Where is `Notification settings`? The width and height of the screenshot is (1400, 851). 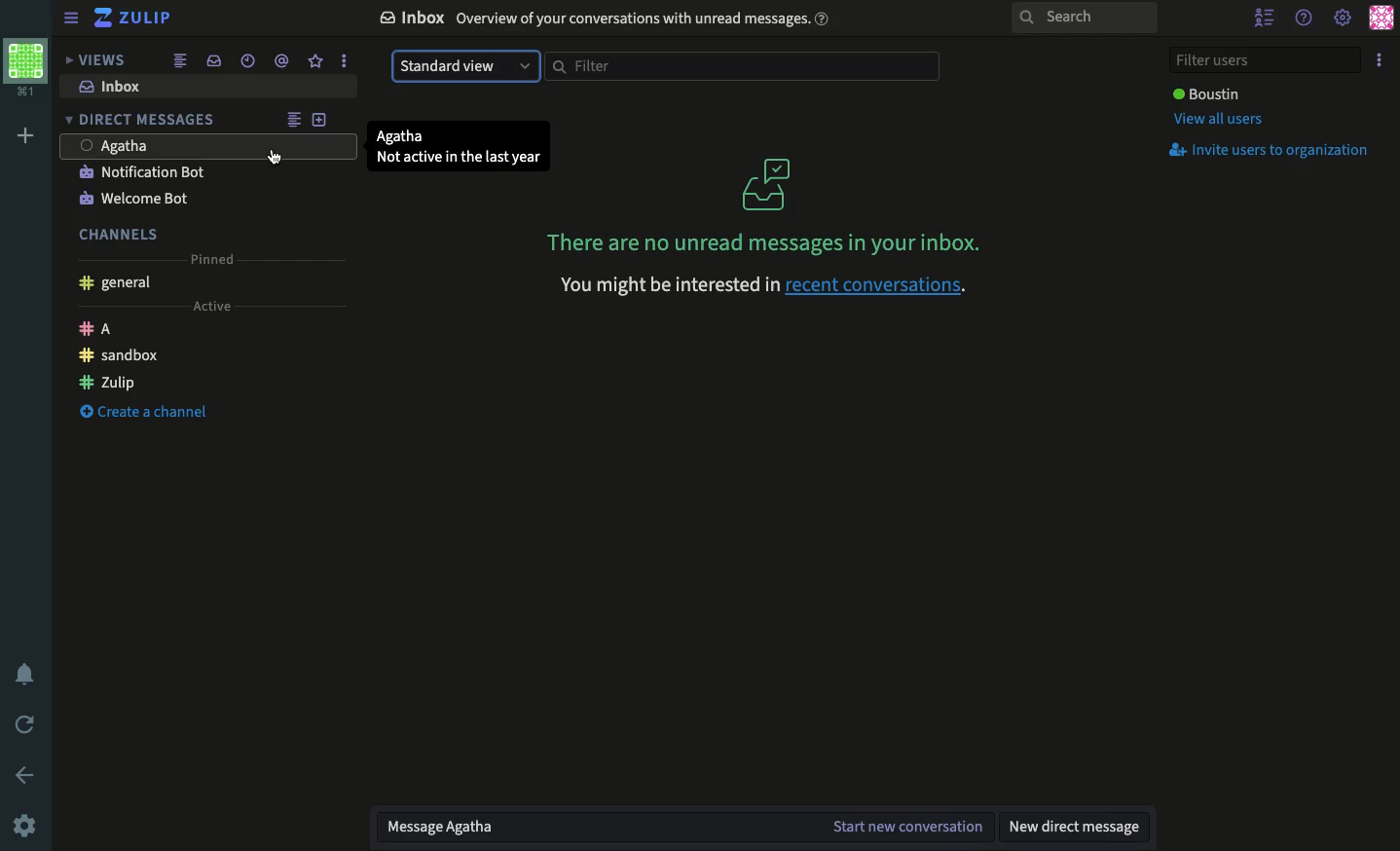 Notification settings is located at coordinates (21, 673).